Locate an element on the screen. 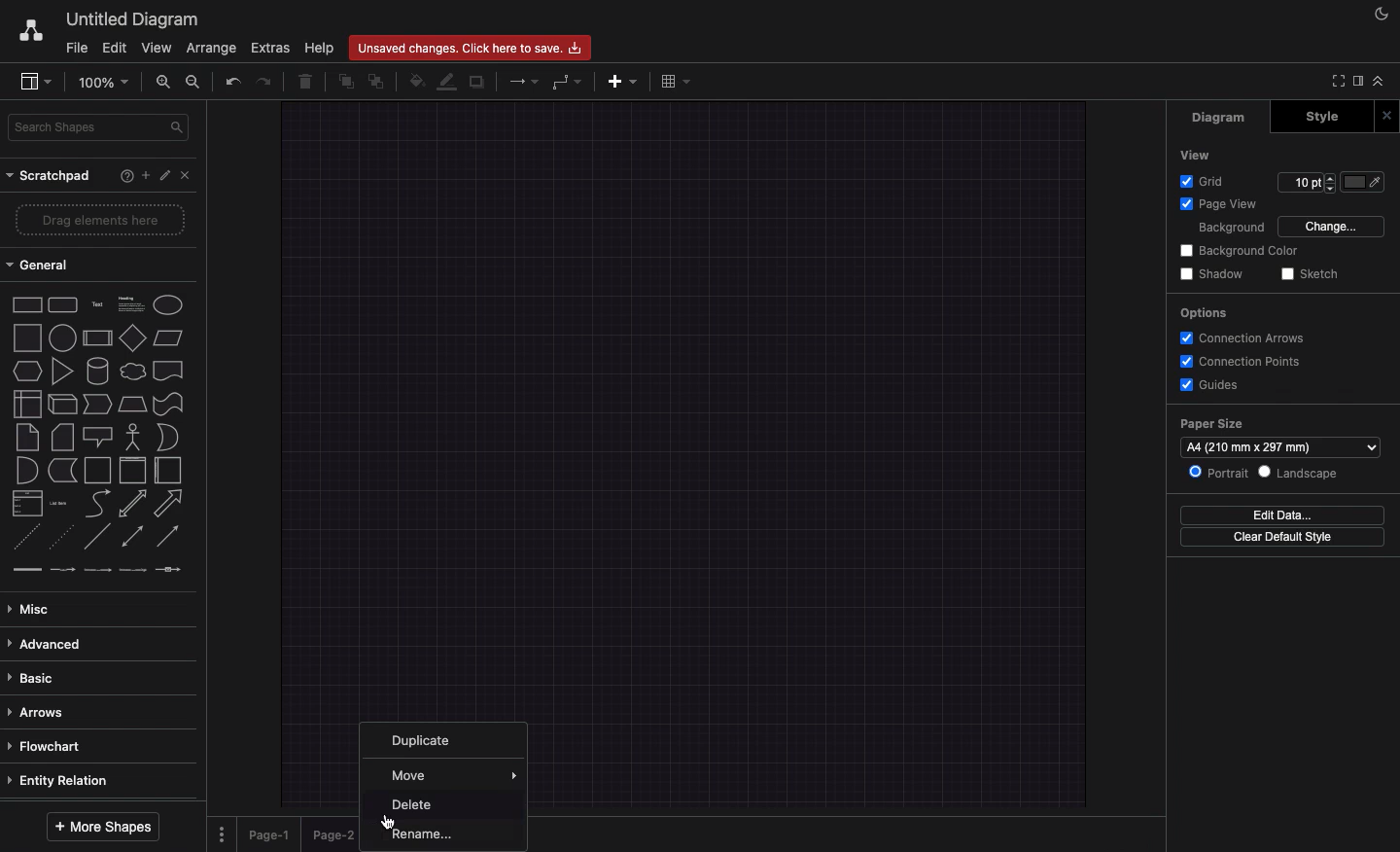 This screenshot has height=852, width=1400. Size is located at coordinates (1307, 183).